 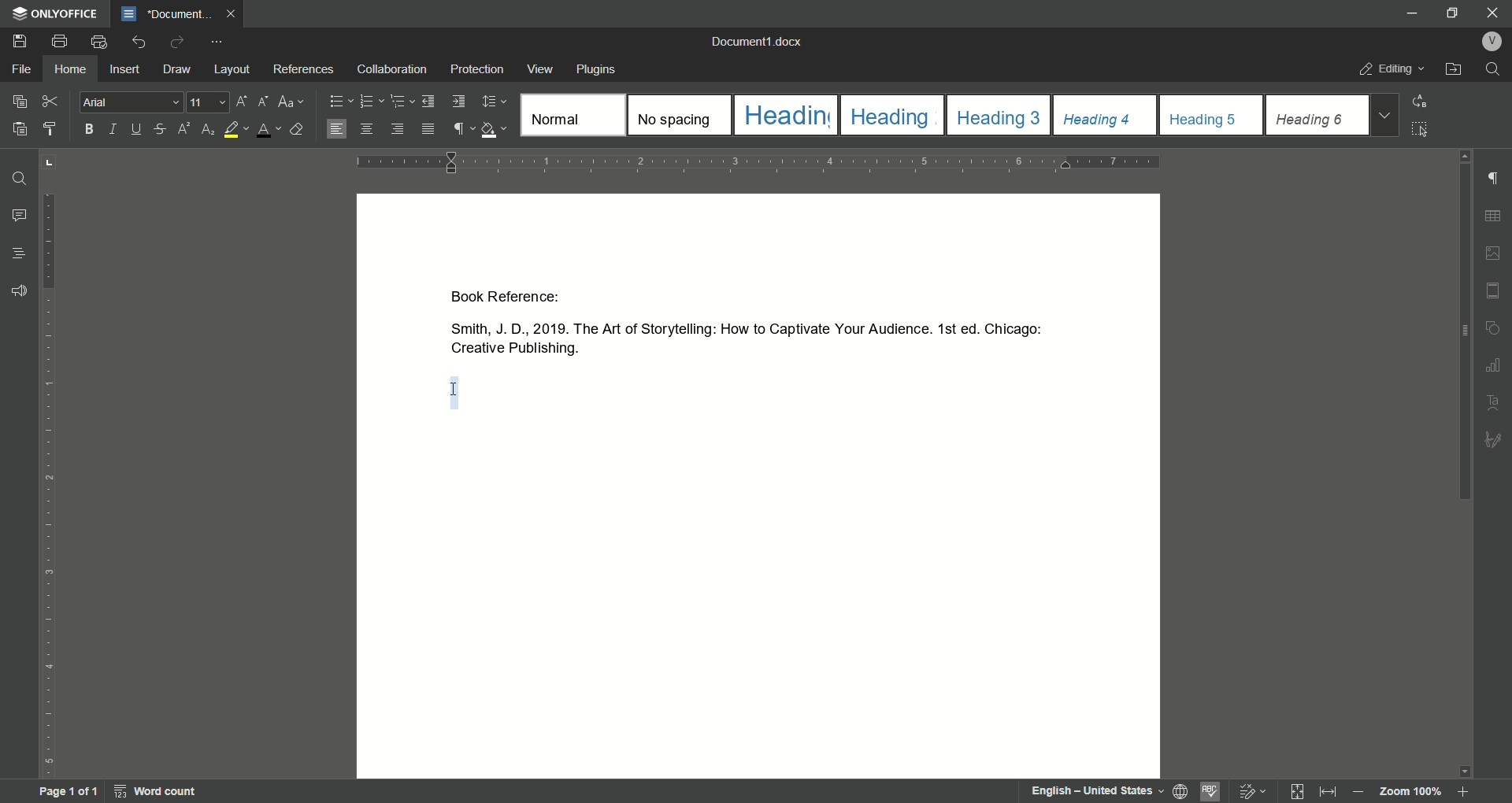 What do you see at coordinates (304, 68) in the screenshot?
I see `references` at bounding box center [304, 68].